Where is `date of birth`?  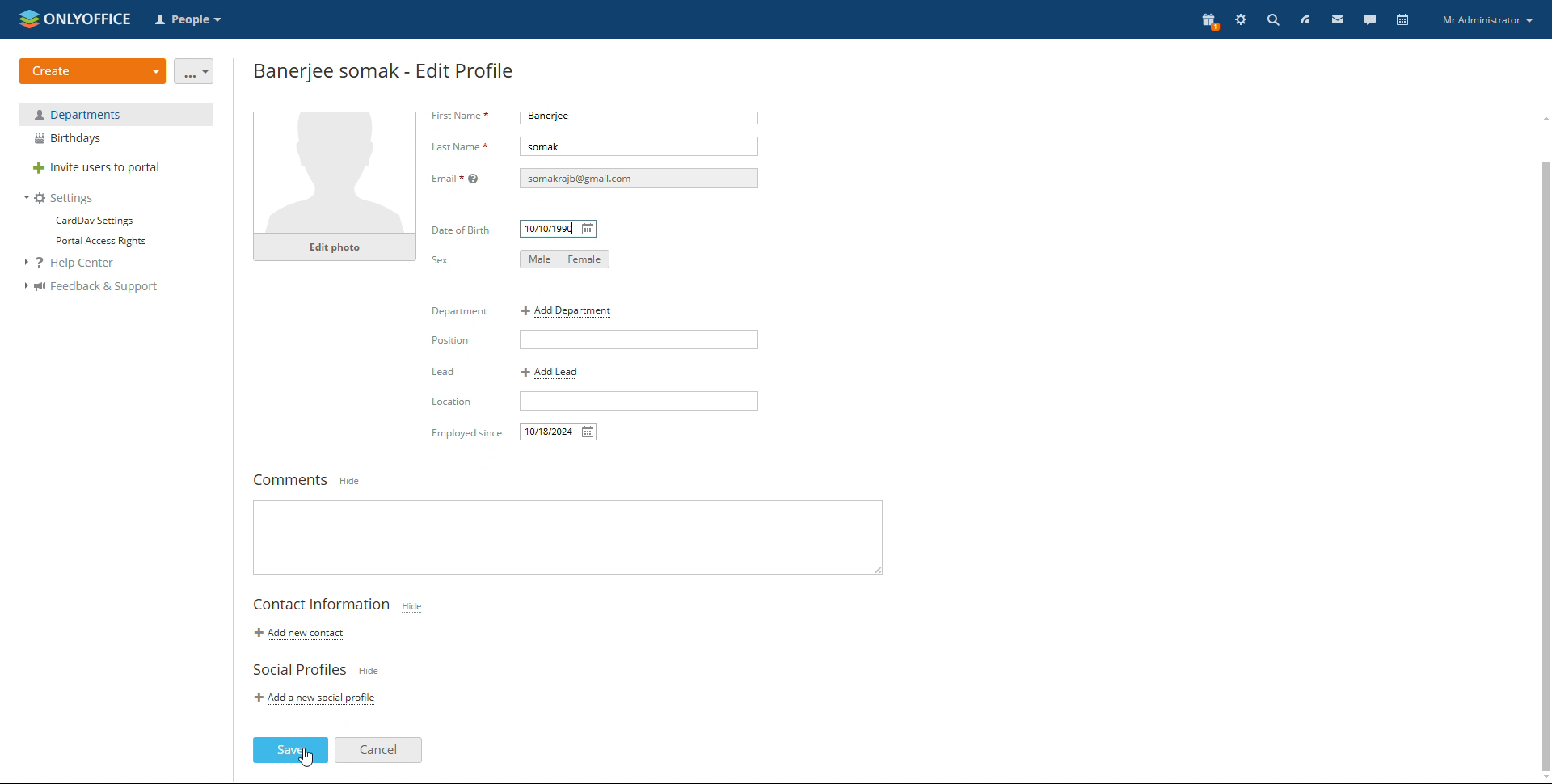
date of birth is located at coordinates (463, 227).